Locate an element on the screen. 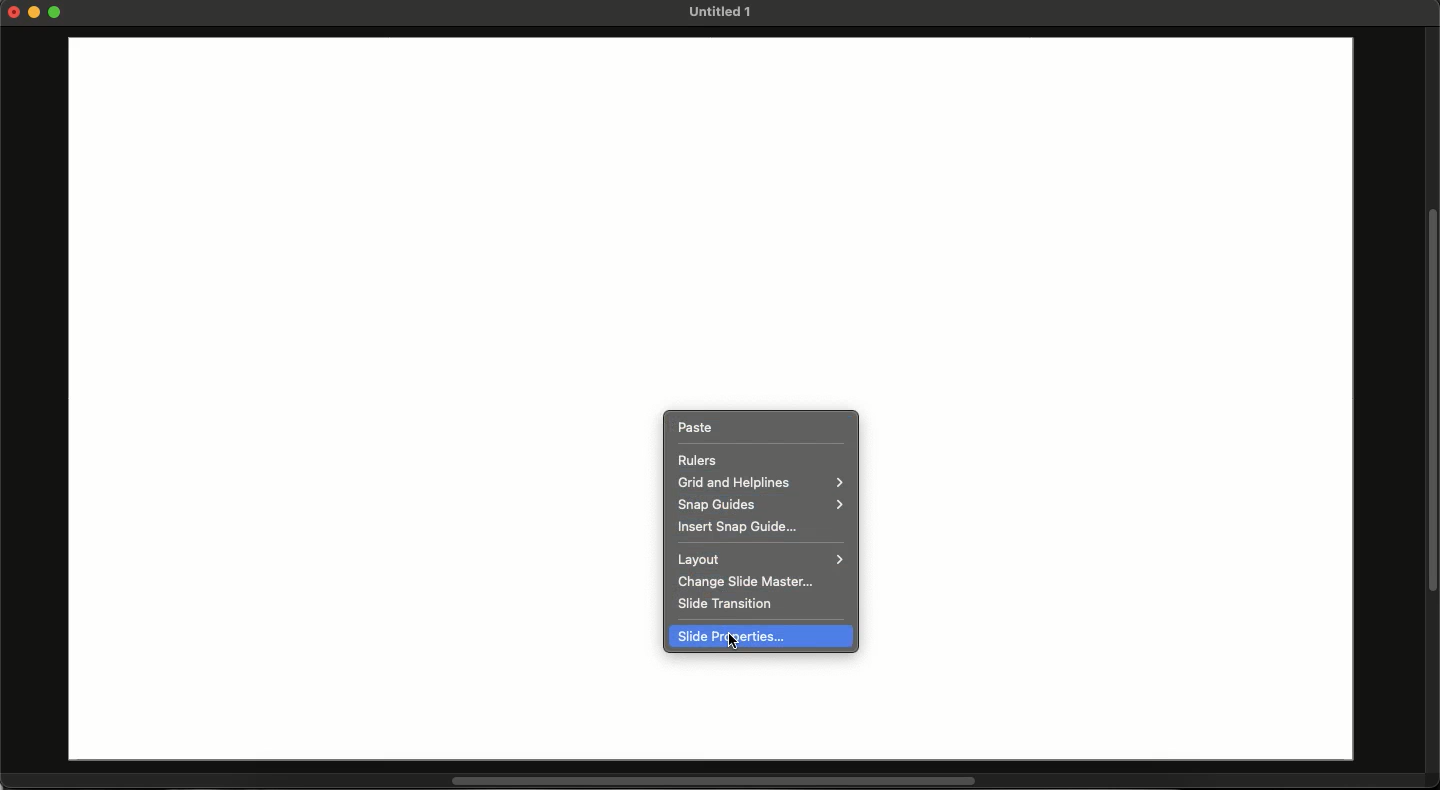  Minimize is located at coordinates (37, 12).